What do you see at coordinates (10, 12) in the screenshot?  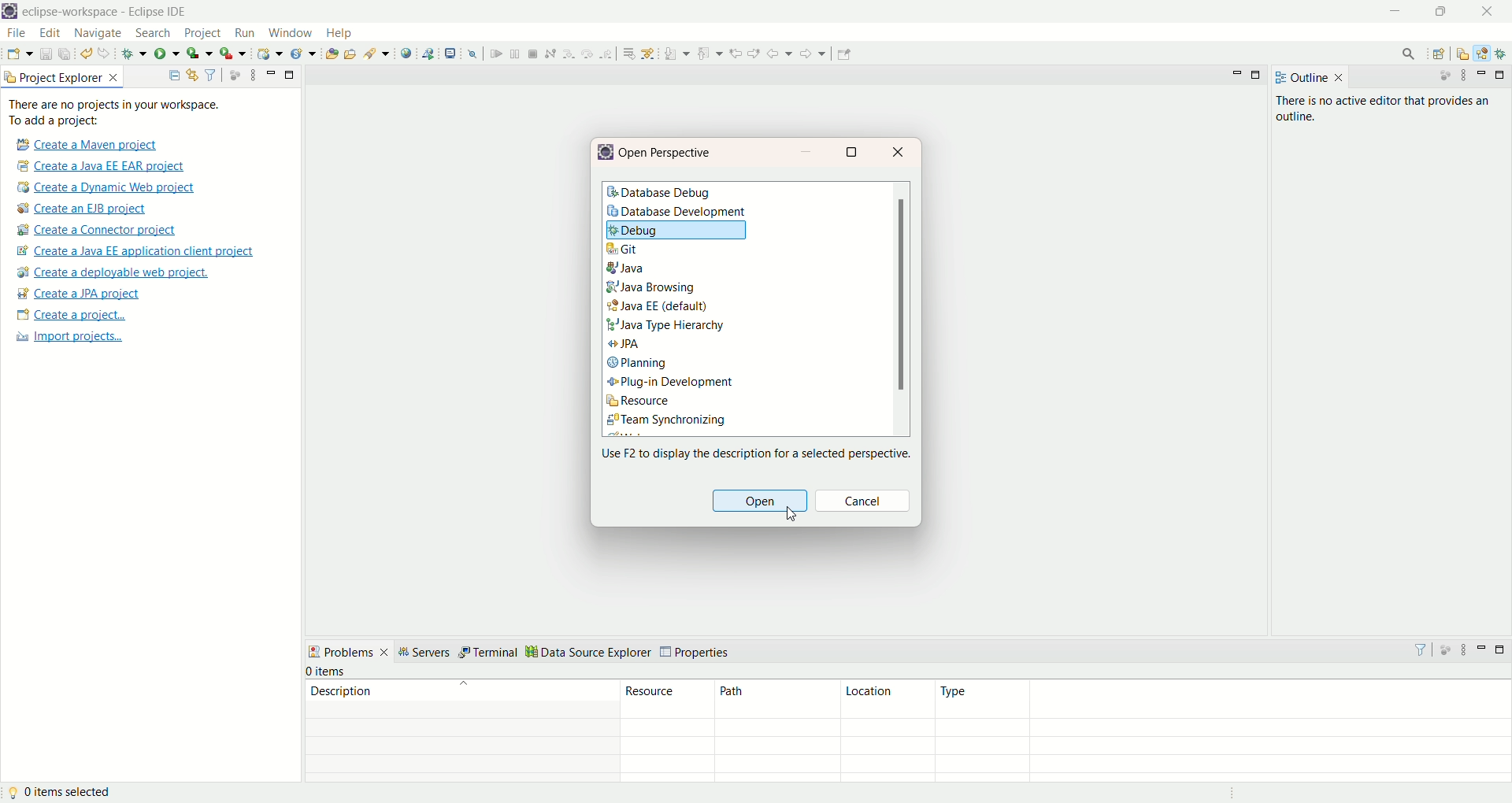 I see `logo` at bounding box center [10, 12].